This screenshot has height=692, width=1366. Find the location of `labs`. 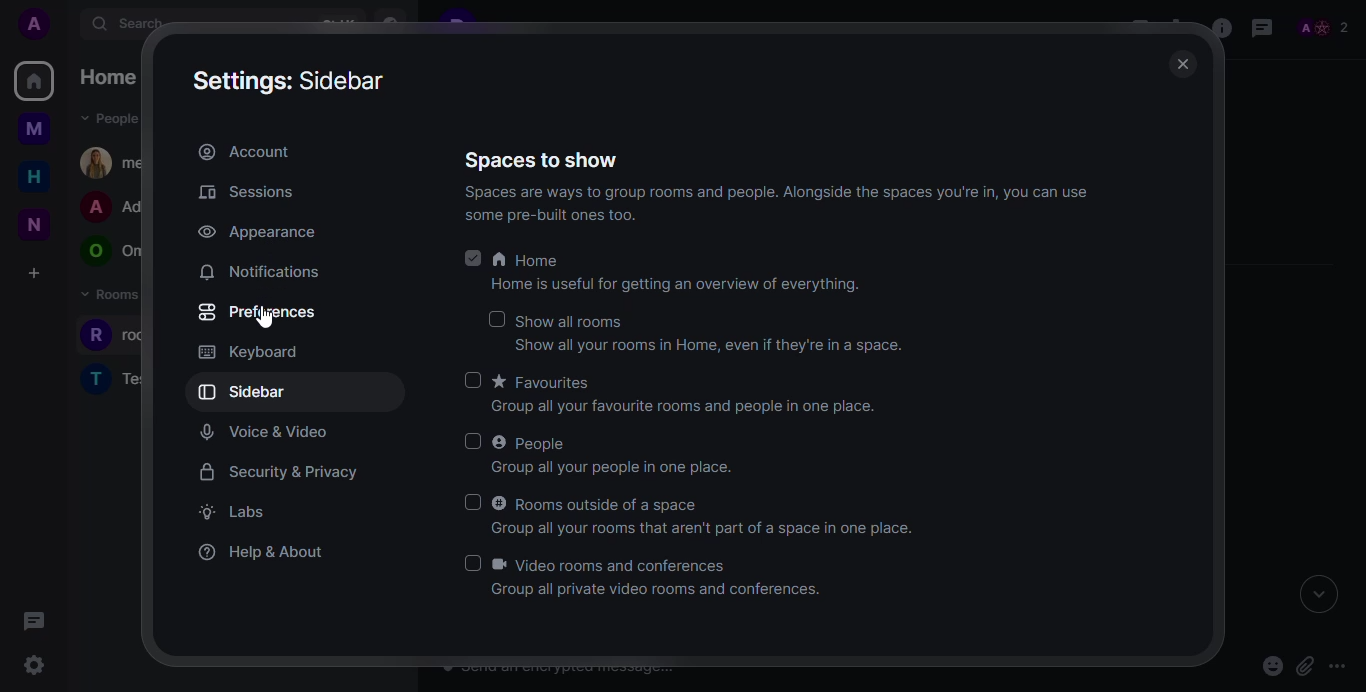

labs is located at coordinates (230, 511).